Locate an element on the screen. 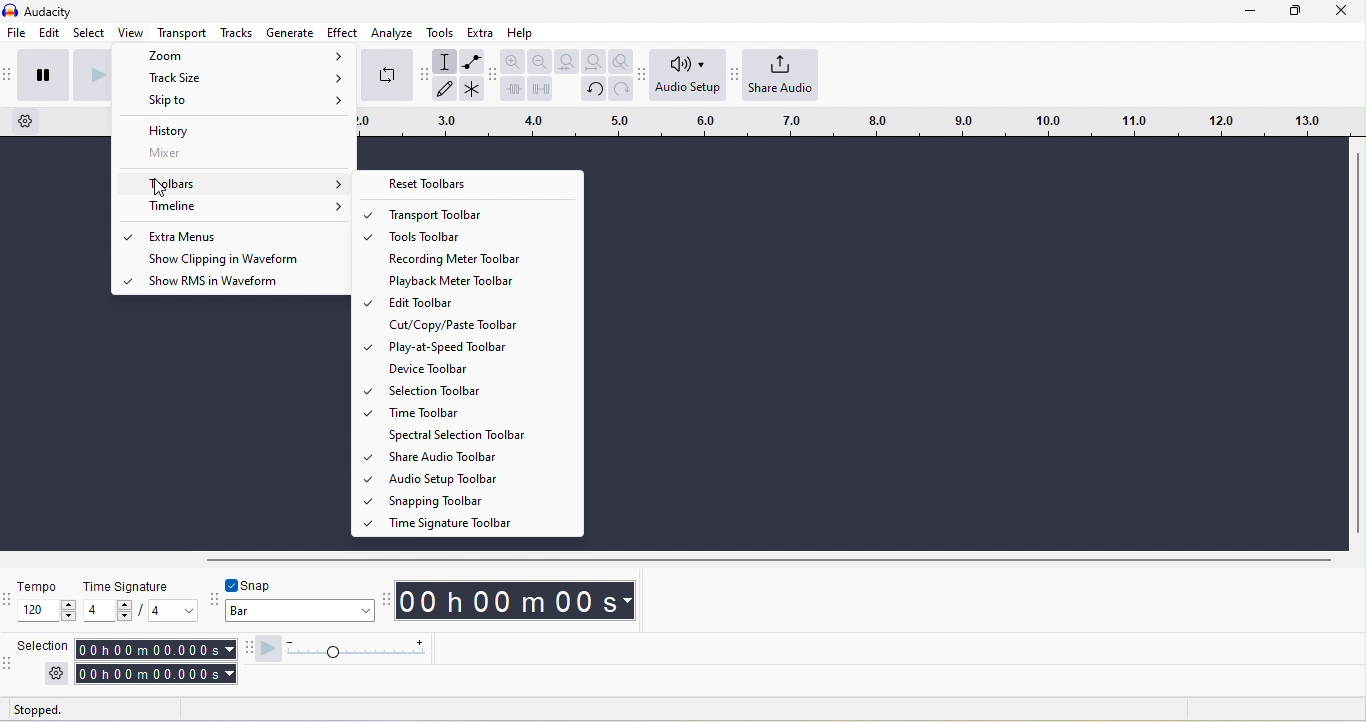  tempo is located at coordinates (40, 586).